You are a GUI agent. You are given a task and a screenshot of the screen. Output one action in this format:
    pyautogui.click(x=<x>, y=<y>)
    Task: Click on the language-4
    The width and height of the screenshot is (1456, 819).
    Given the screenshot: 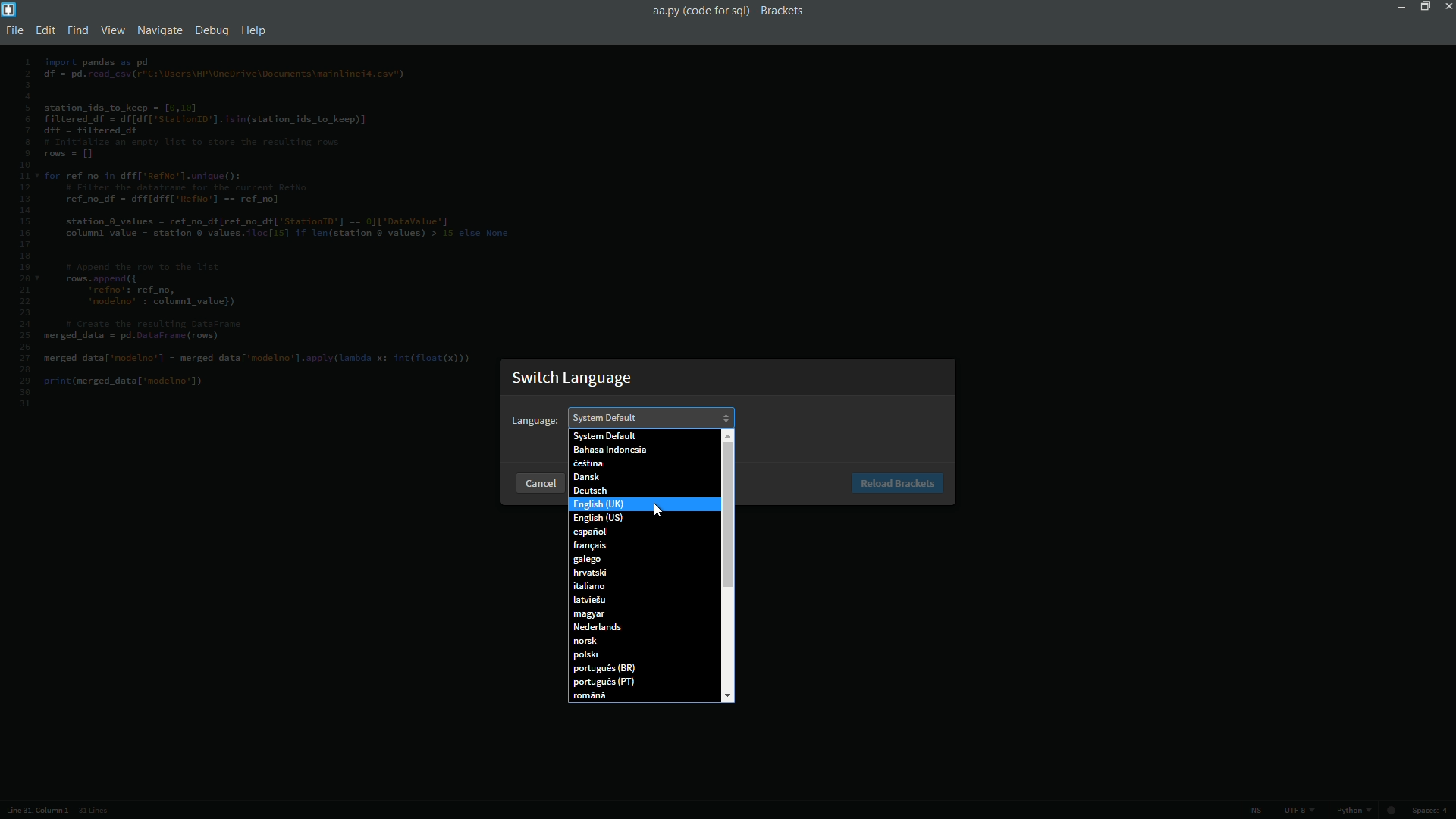 What is the action you would take?
    pyautogui.click(x=588, y=491)
    